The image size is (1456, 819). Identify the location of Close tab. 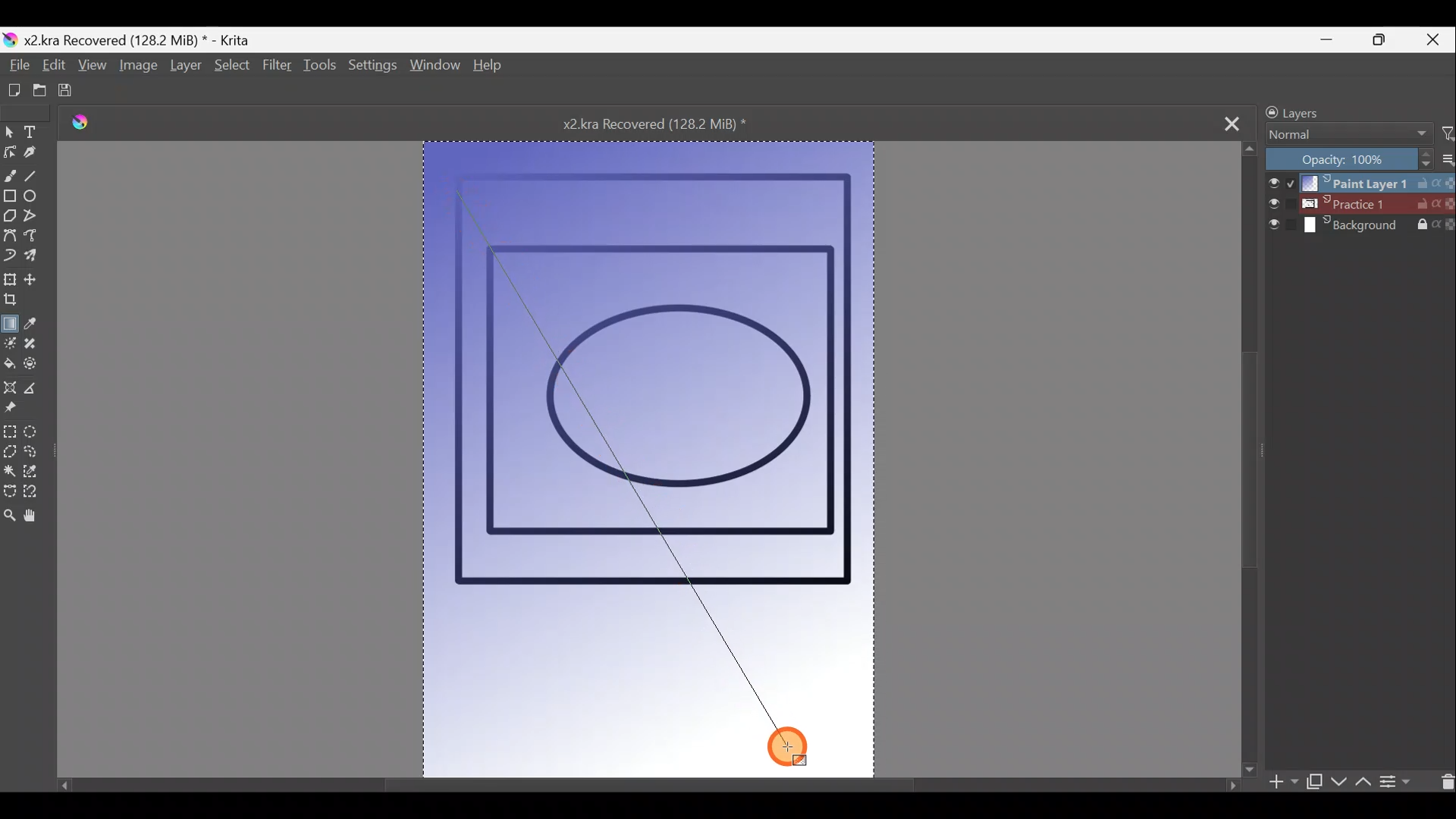
(1232, 122).